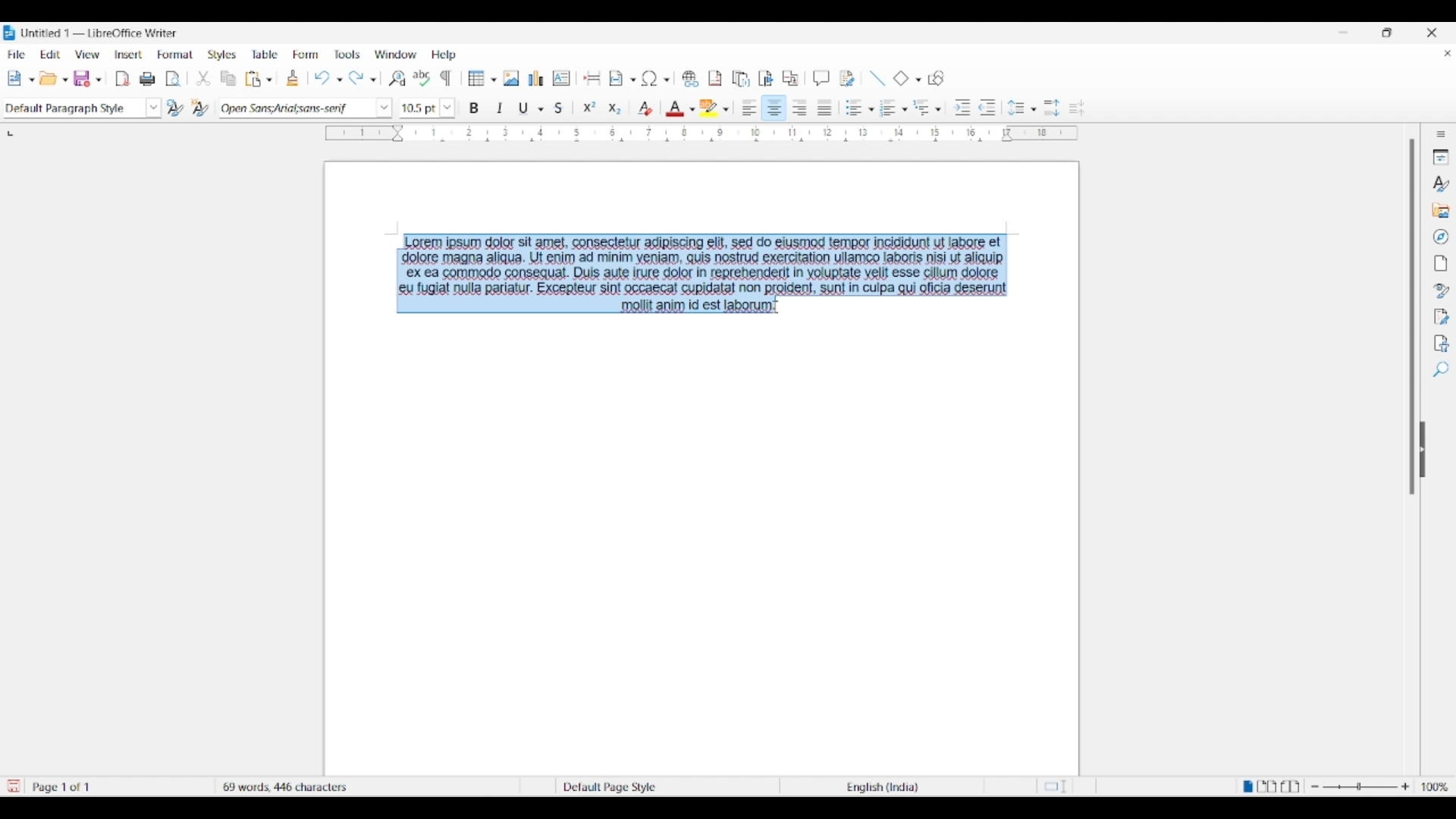 The height and width of the screenshot is (819, 1456). What do you see at coordinates (1315, 786) in the screenshot?
I see `Zoom out` at bounding box center [1315, 786].